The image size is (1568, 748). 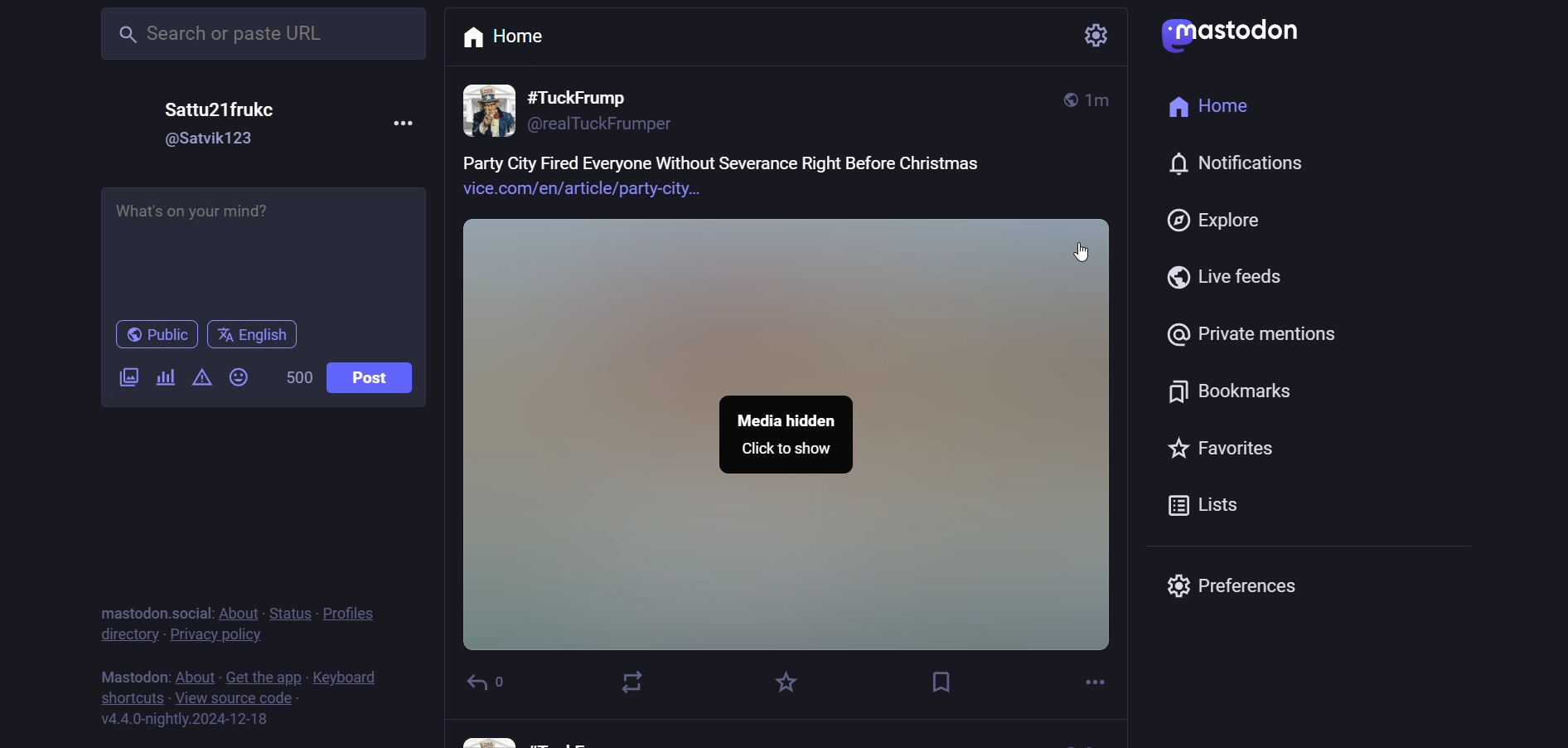 What do you see at coordinates (404, 124) in the screenshot?
I see `Menu` at bounding box center [404, 124].